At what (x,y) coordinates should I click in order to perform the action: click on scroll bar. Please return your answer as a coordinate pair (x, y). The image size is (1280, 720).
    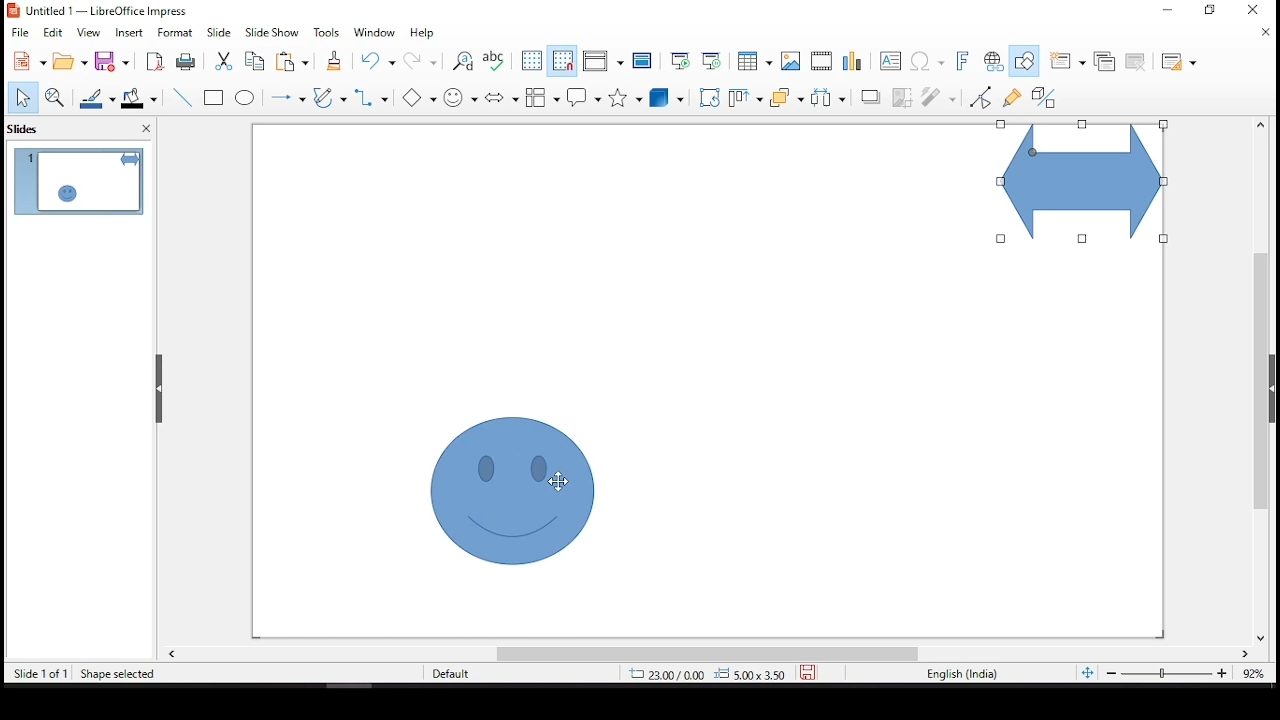
    Looking at the image, I should click on (707, 654).